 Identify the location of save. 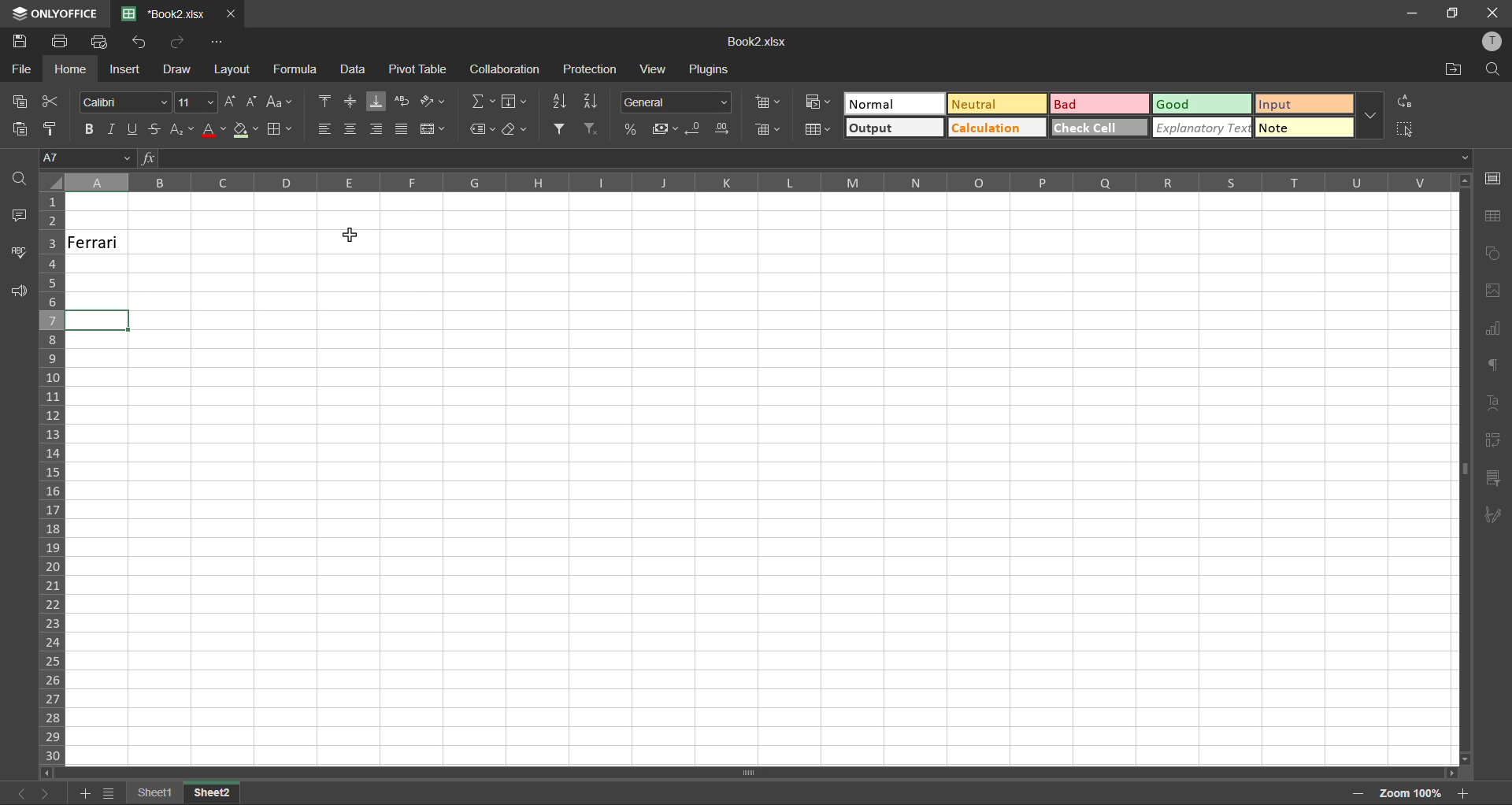
(17, 42).